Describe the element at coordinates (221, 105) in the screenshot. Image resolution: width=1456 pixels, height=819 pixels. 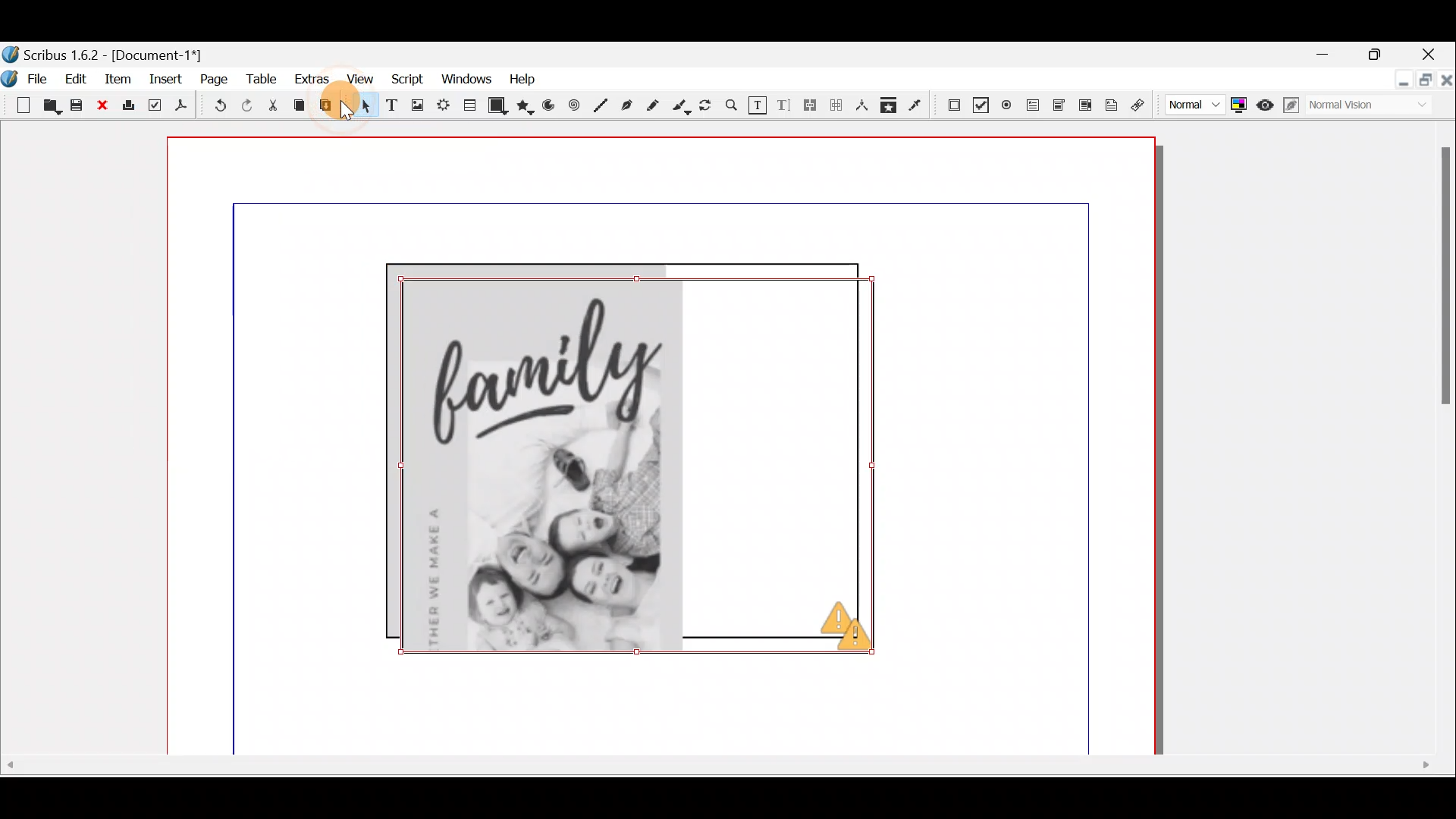
I see `Undo` at that location.